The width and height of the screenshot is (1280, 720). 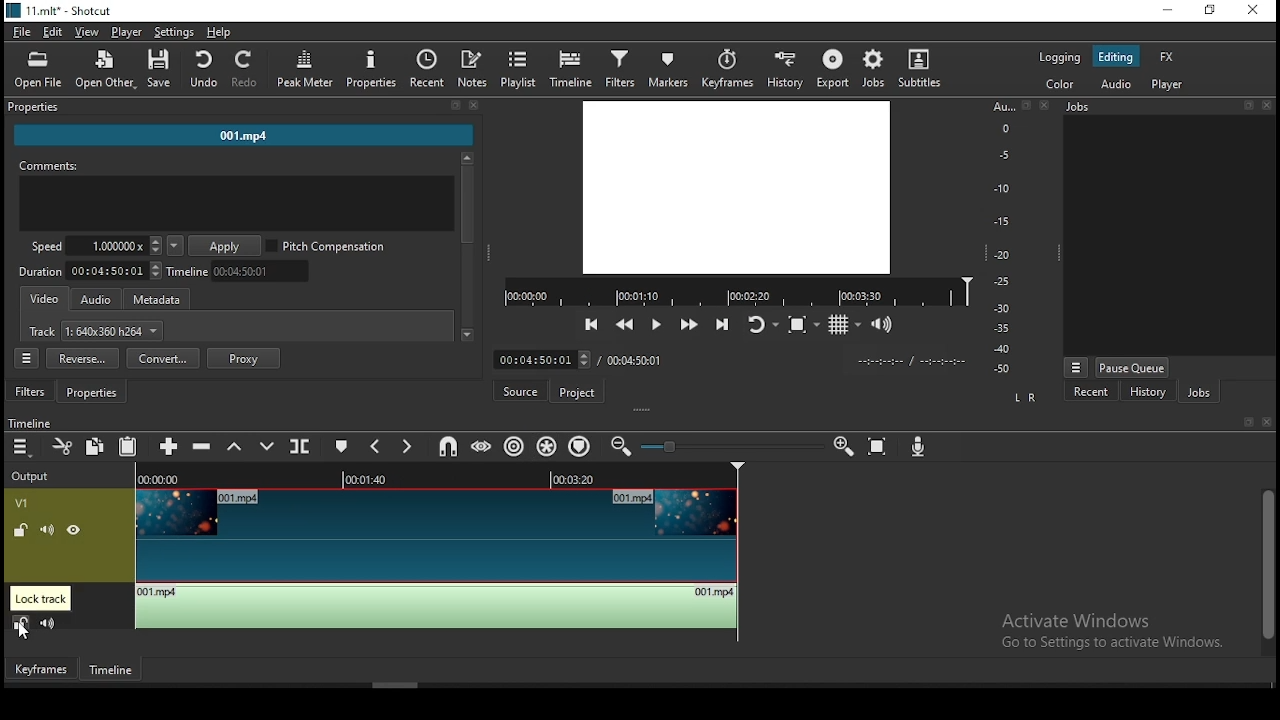 I want to click on zoom timeline out, so click(x=621, y=446).